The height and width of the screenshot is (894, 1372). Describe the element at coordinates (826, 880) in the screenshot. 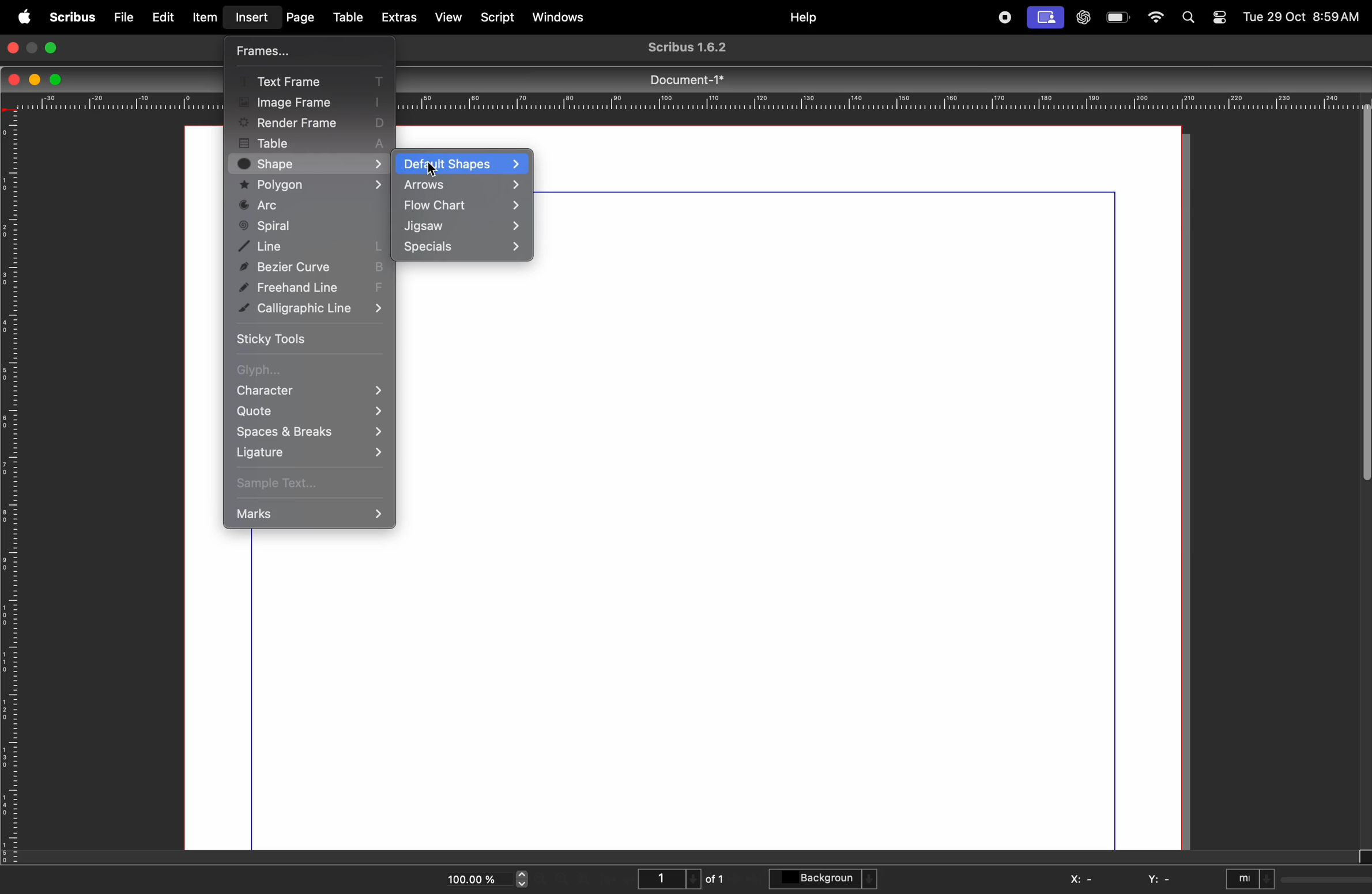

I see `background` at that location.